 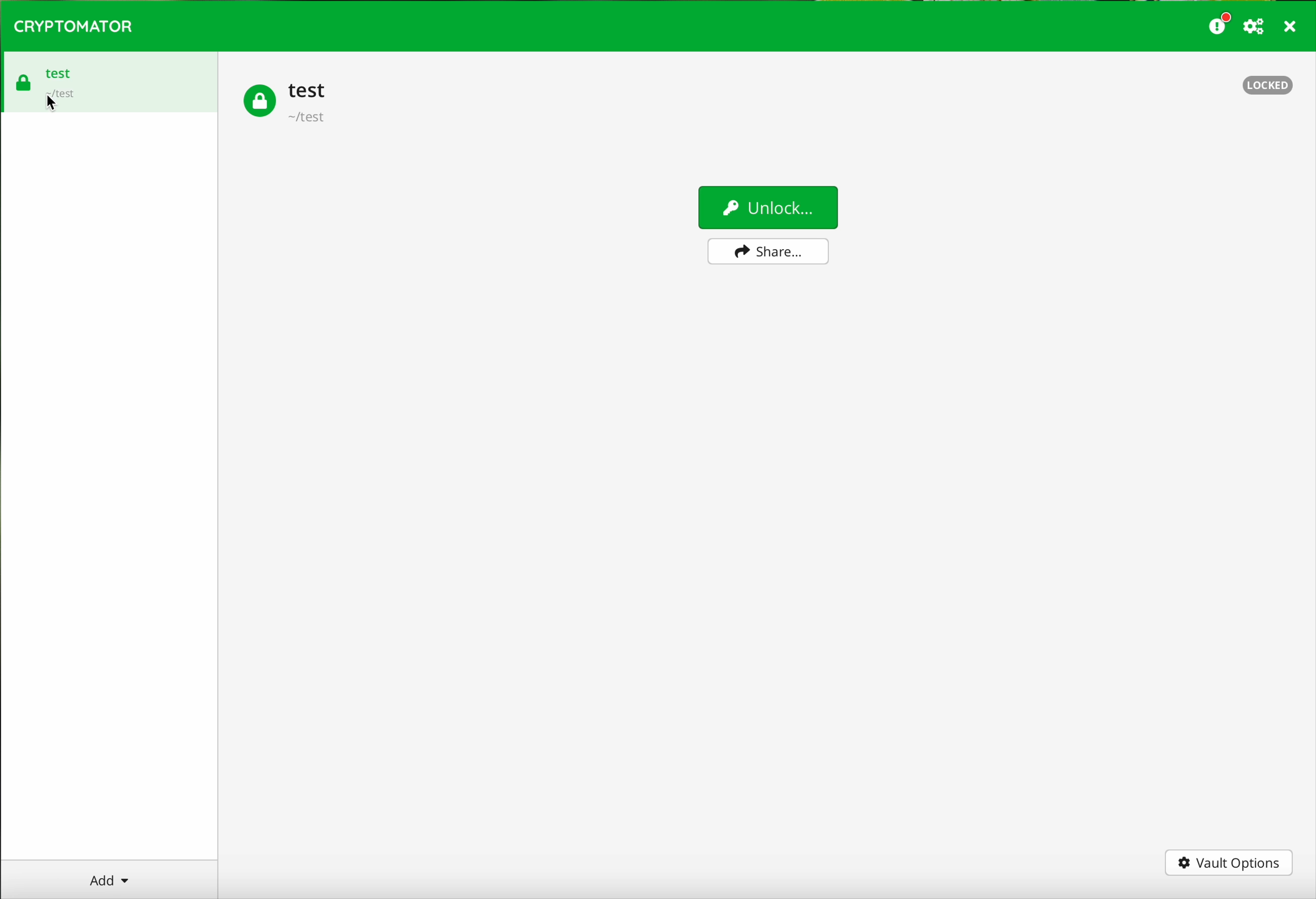 What do you see at coordinates (1220, 23) in the screenshot?
I see `donate` at bounding box center [1220, 23].